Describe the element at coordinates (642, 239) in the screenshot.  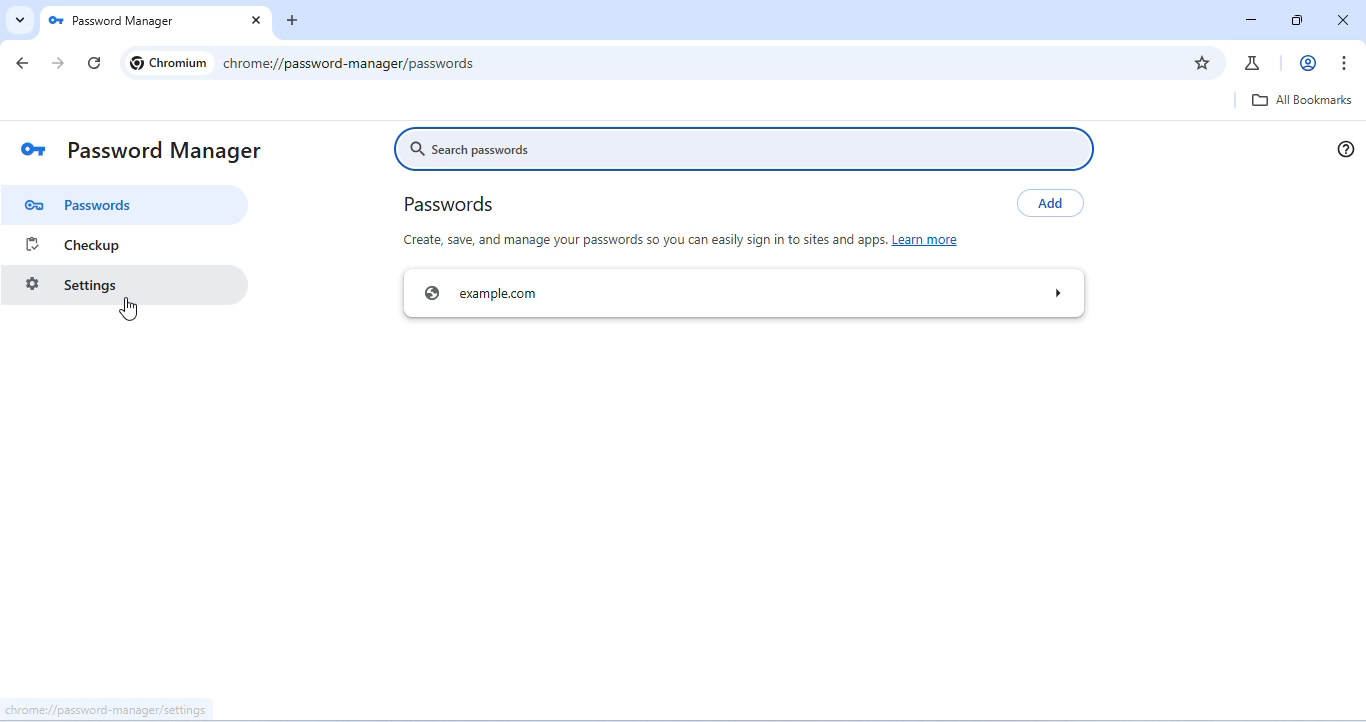
I see `Create, save, and manage your passwords so you can easily sign in to sites and apps.` at that location.